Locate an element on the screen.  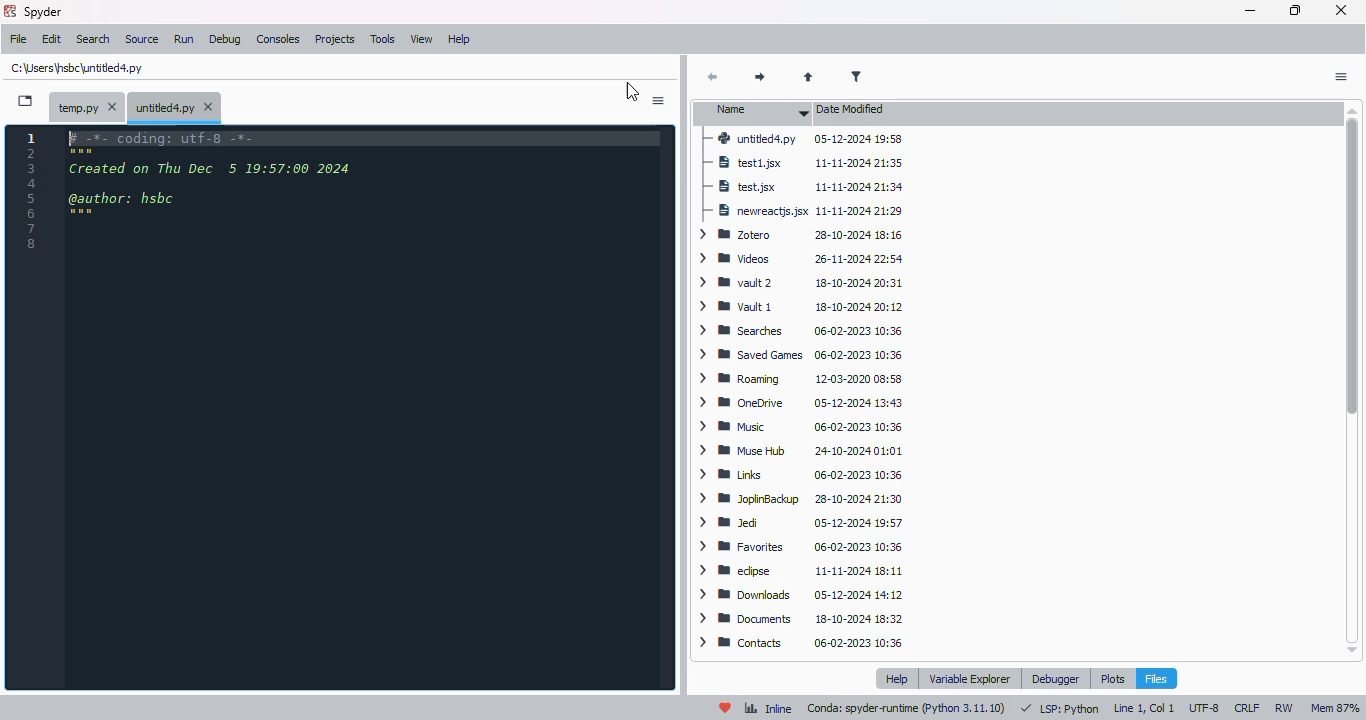
vault 1 is located at coordinates (801, 358).